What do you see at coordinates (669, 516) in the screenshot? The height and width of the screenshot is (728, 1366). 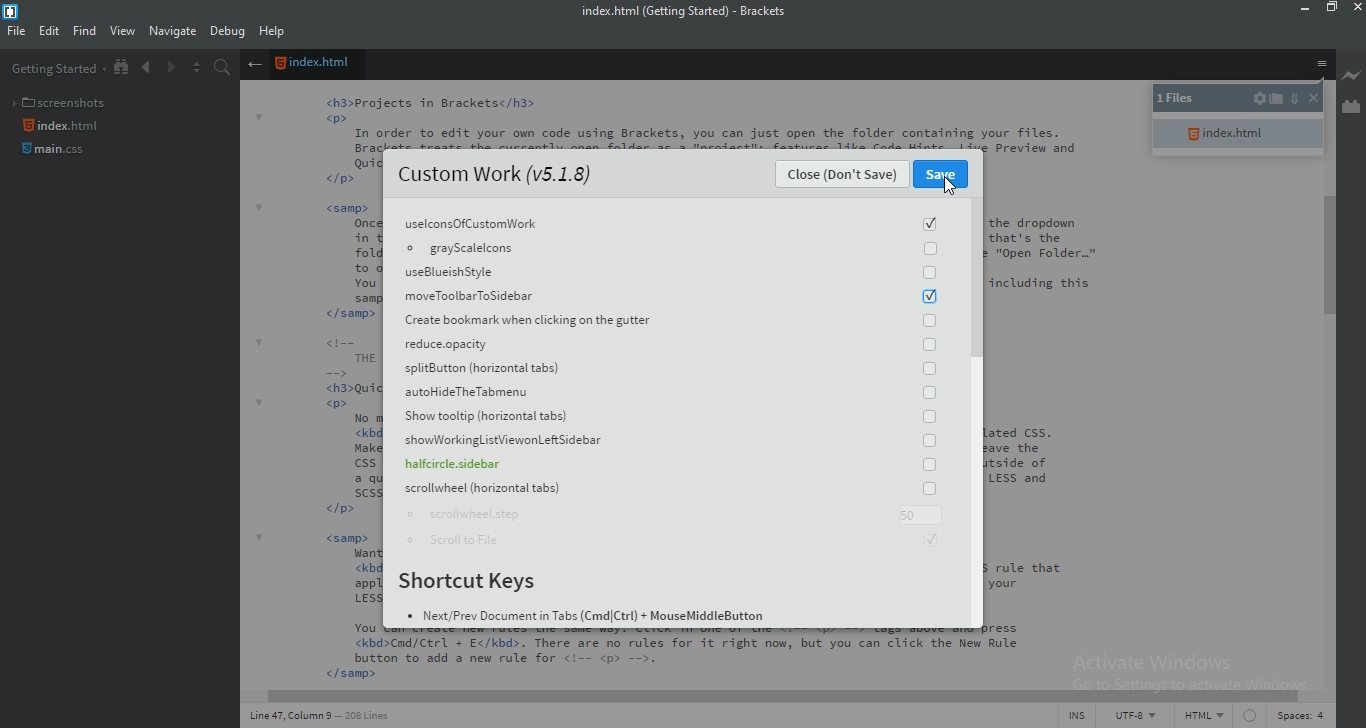 I see `scrollwheel.step` at bounding box center [669, 516].